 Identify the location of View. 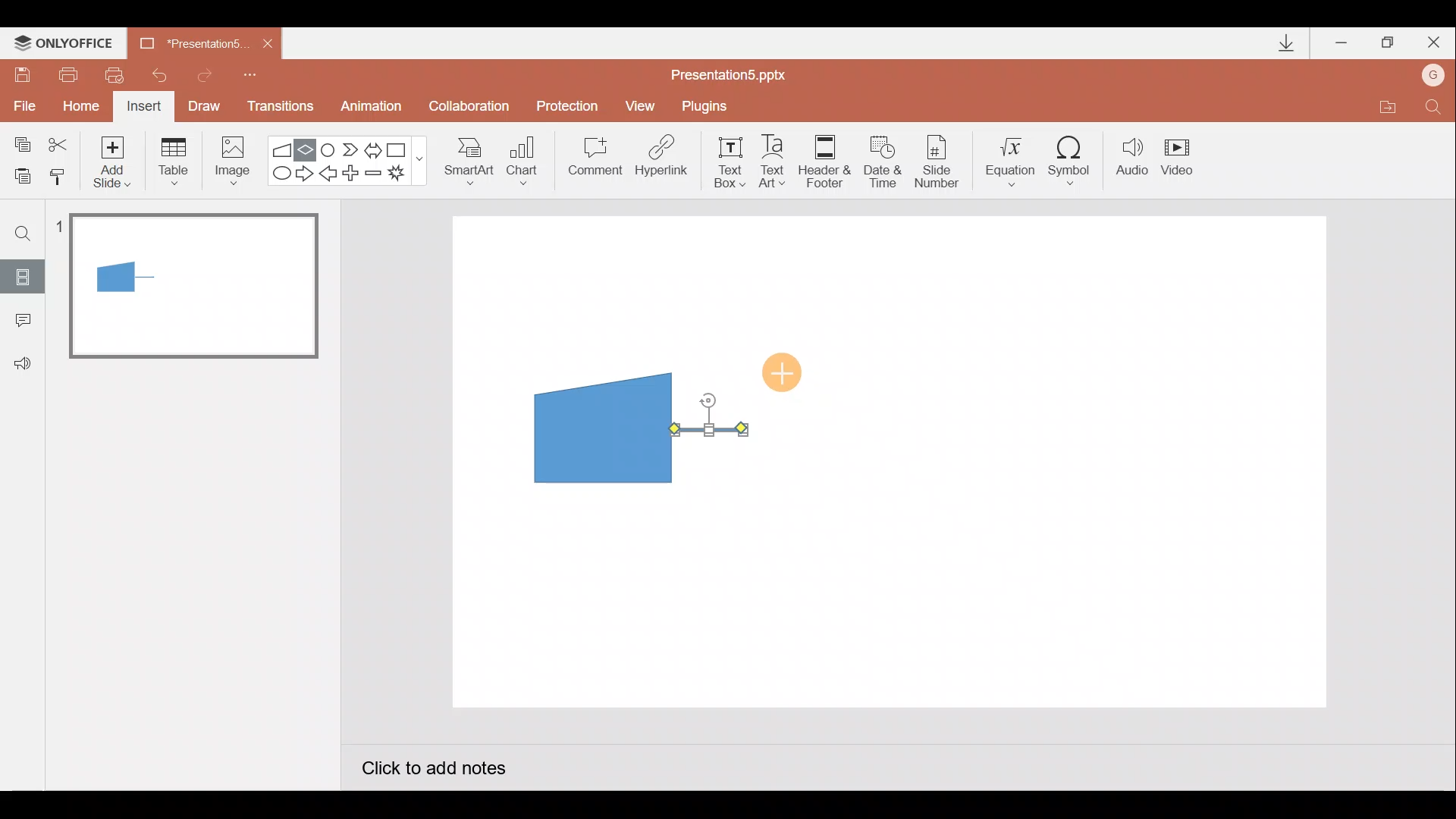
(642, 105).